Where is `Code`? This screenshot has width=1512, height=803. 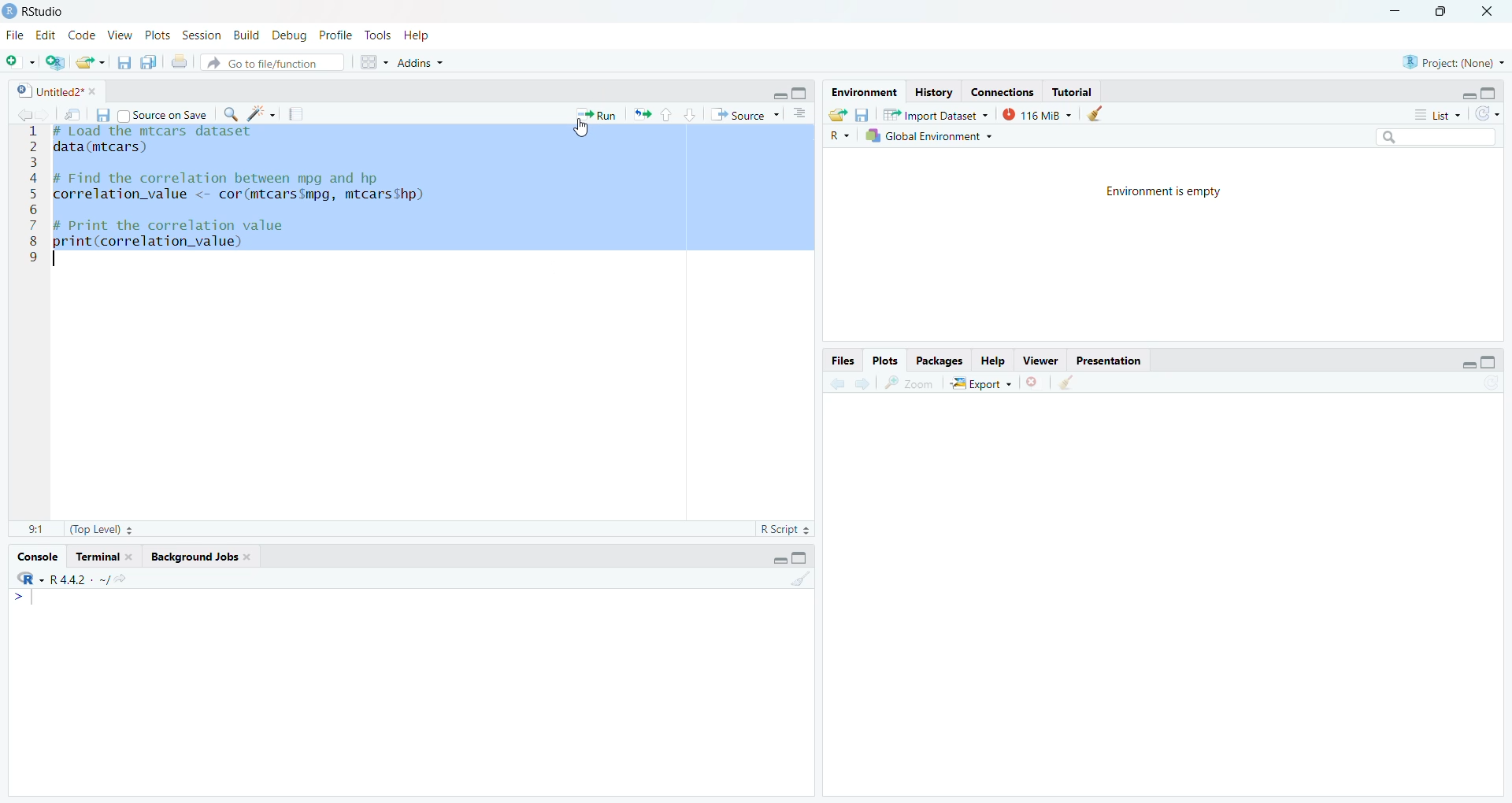
Code is located at coordinates (83, 36).